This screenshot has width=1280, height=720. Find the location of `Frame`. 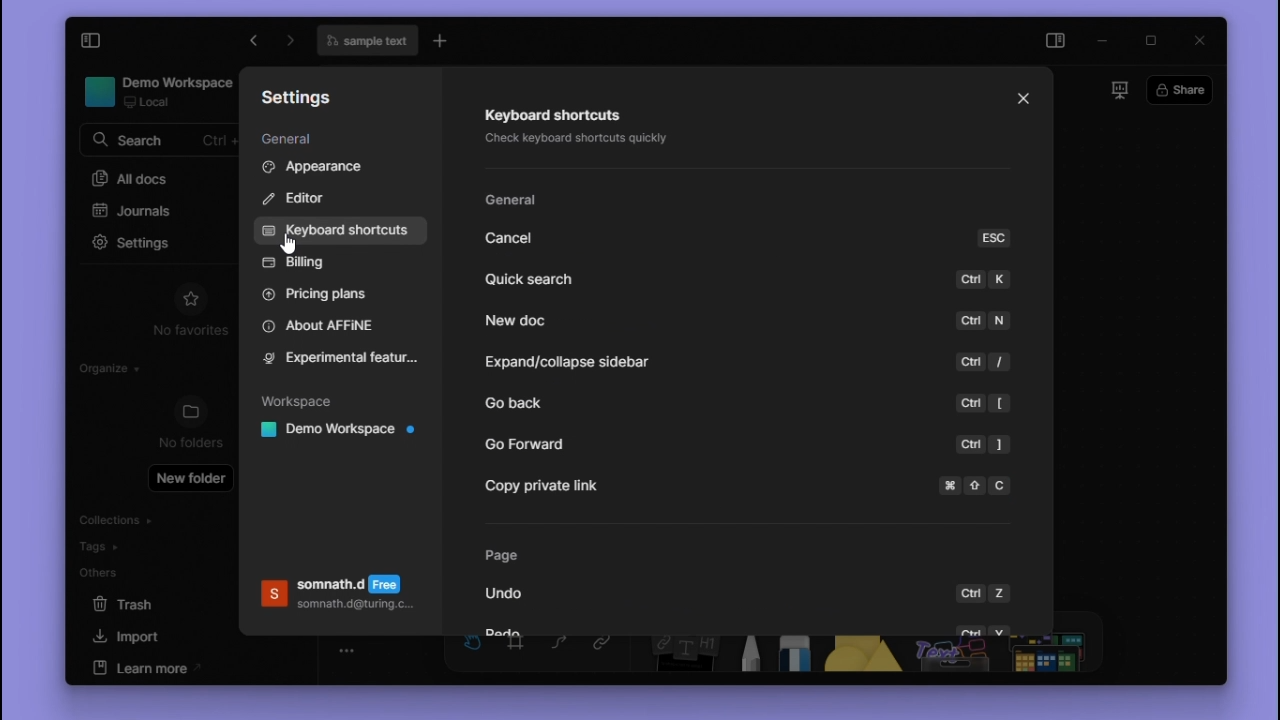

Frame is located at coordinates (519, 653).